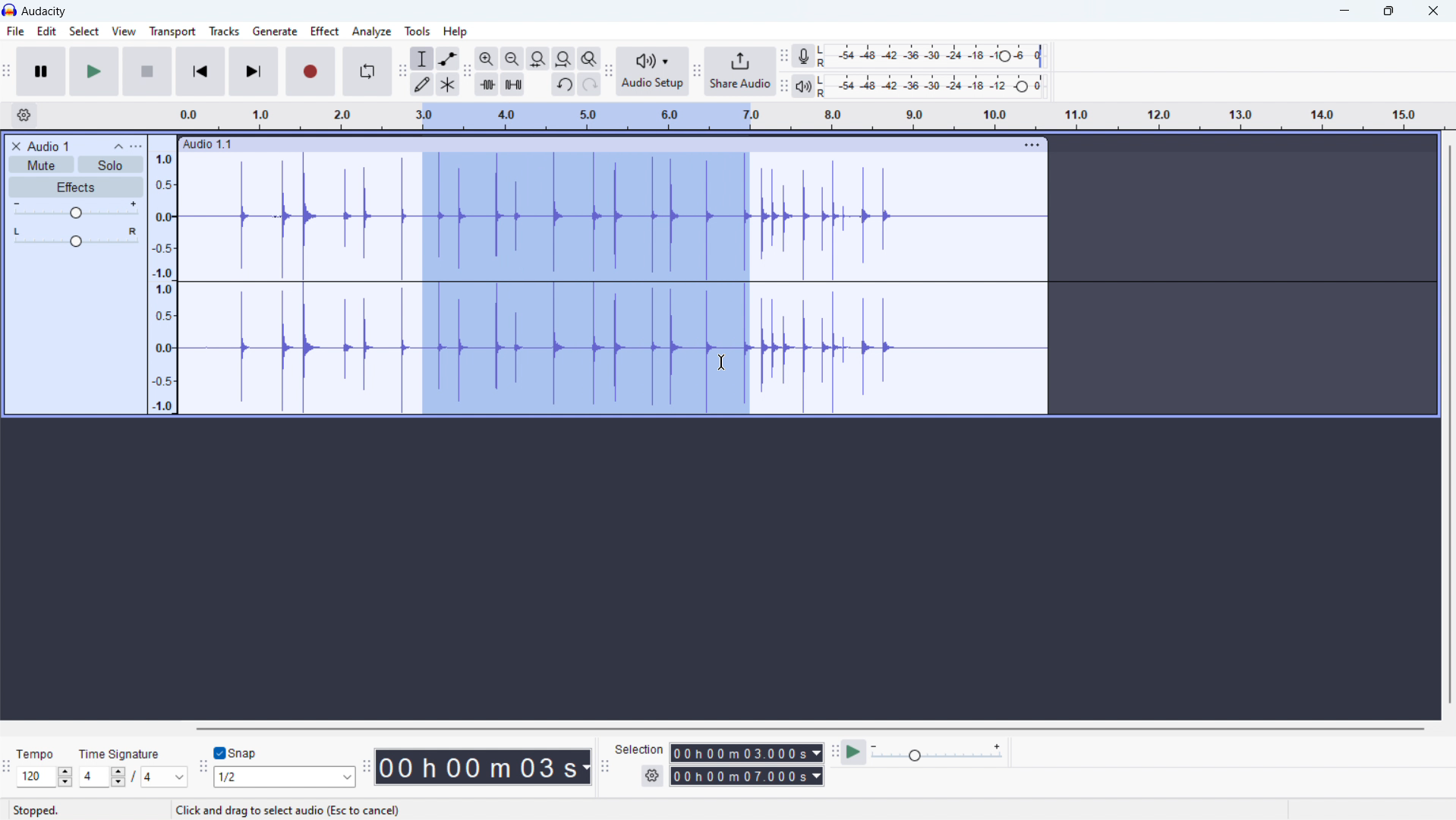 The height and width of the screenshot is (820, 1456). Describe the element at coordinates (487, 58) in the screenshot. I see `zoom in` at that location.